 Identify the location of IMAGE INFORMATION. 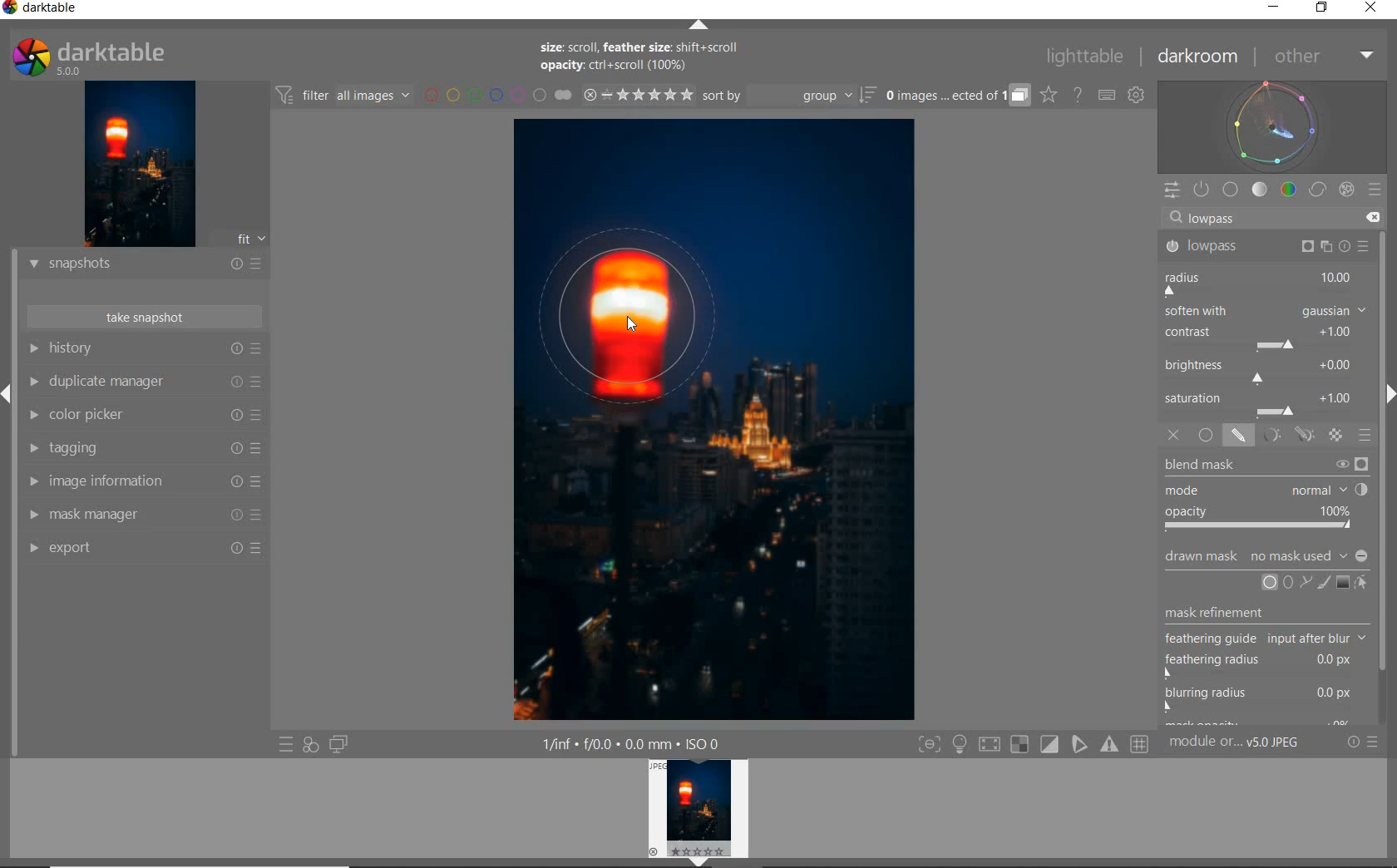
(143, 483).